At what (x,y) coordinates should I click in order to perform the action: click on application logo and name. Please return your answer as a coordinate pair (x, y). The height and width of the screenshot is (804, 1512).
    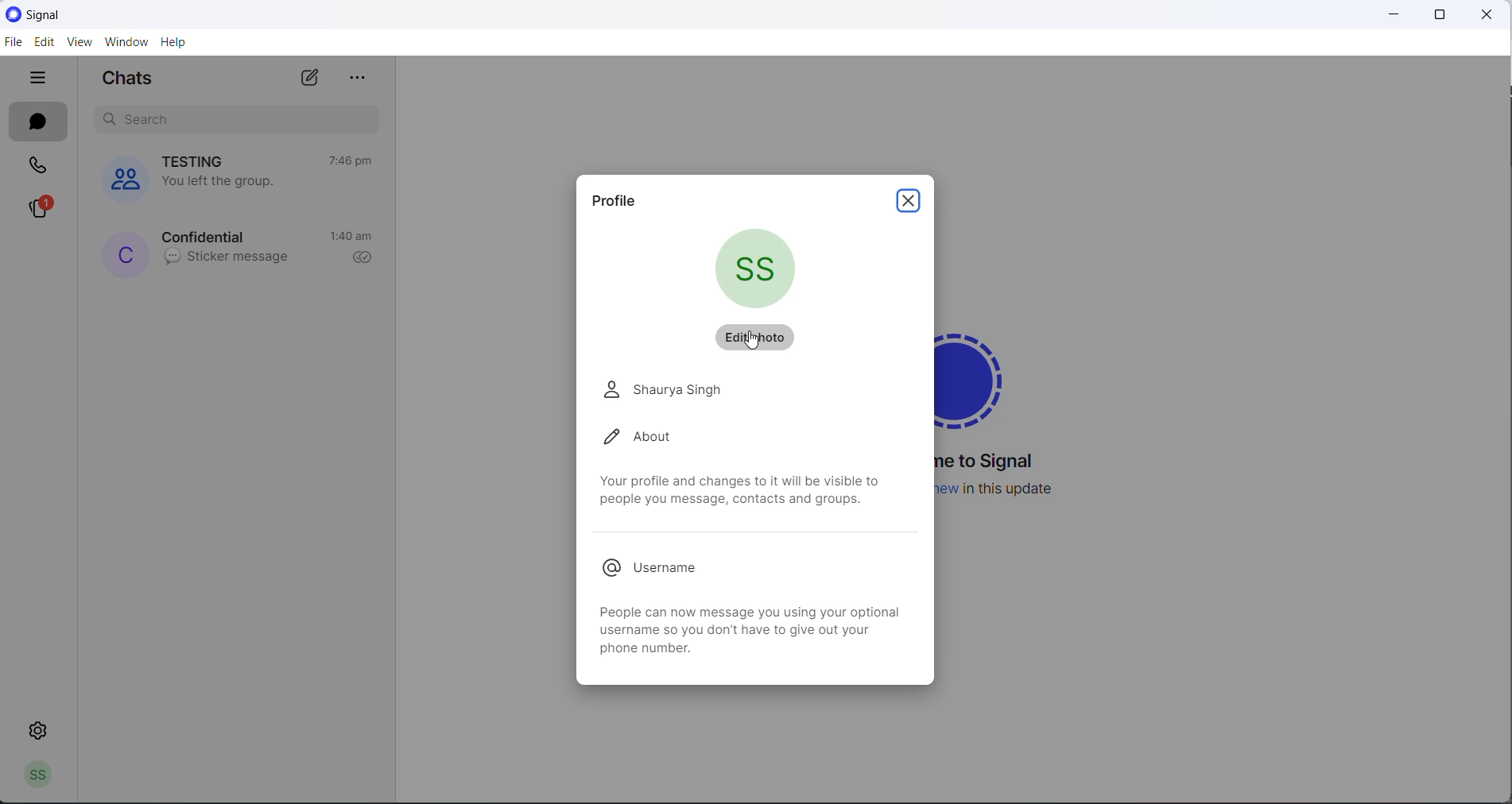
    Looking at the image, I should click on (78, 15).